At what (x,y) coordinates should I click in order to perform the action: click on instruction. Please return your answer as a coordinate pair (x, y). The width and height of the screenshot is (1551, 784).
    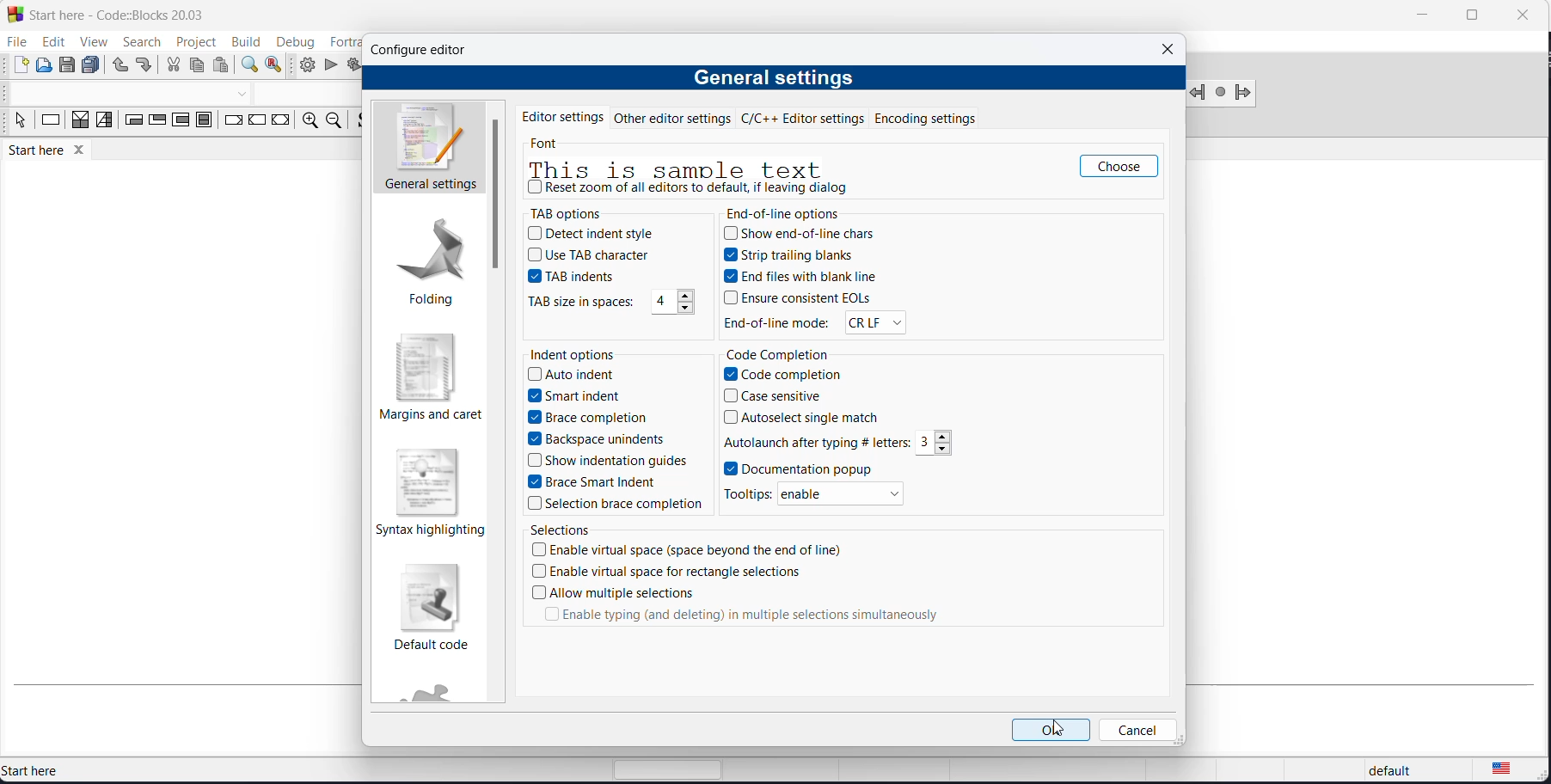
    Looking at the image, I should click on (51, 123).